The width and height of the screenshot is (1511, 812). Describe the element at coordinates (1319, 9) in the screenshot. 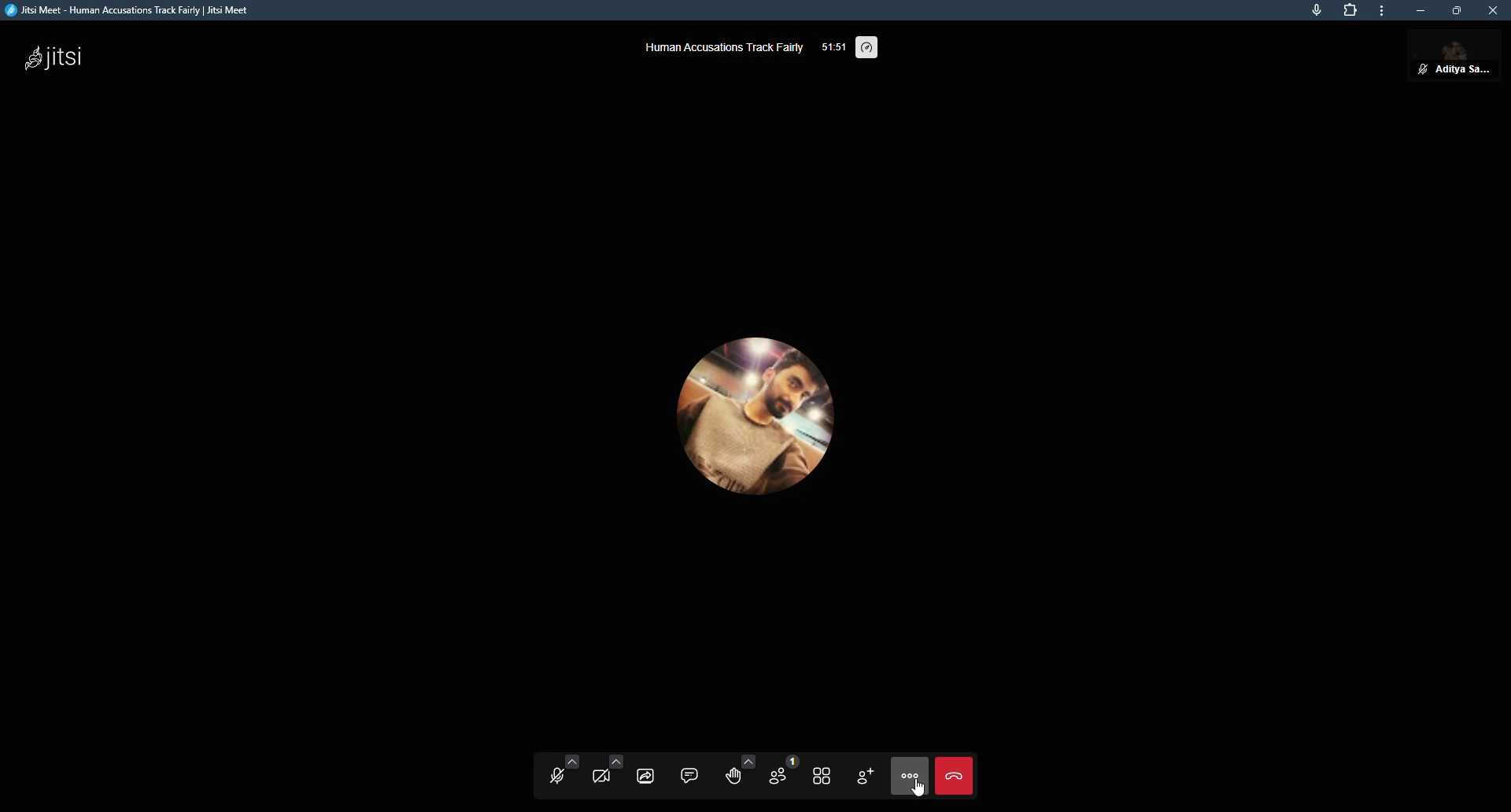

I see `mic` at that location.